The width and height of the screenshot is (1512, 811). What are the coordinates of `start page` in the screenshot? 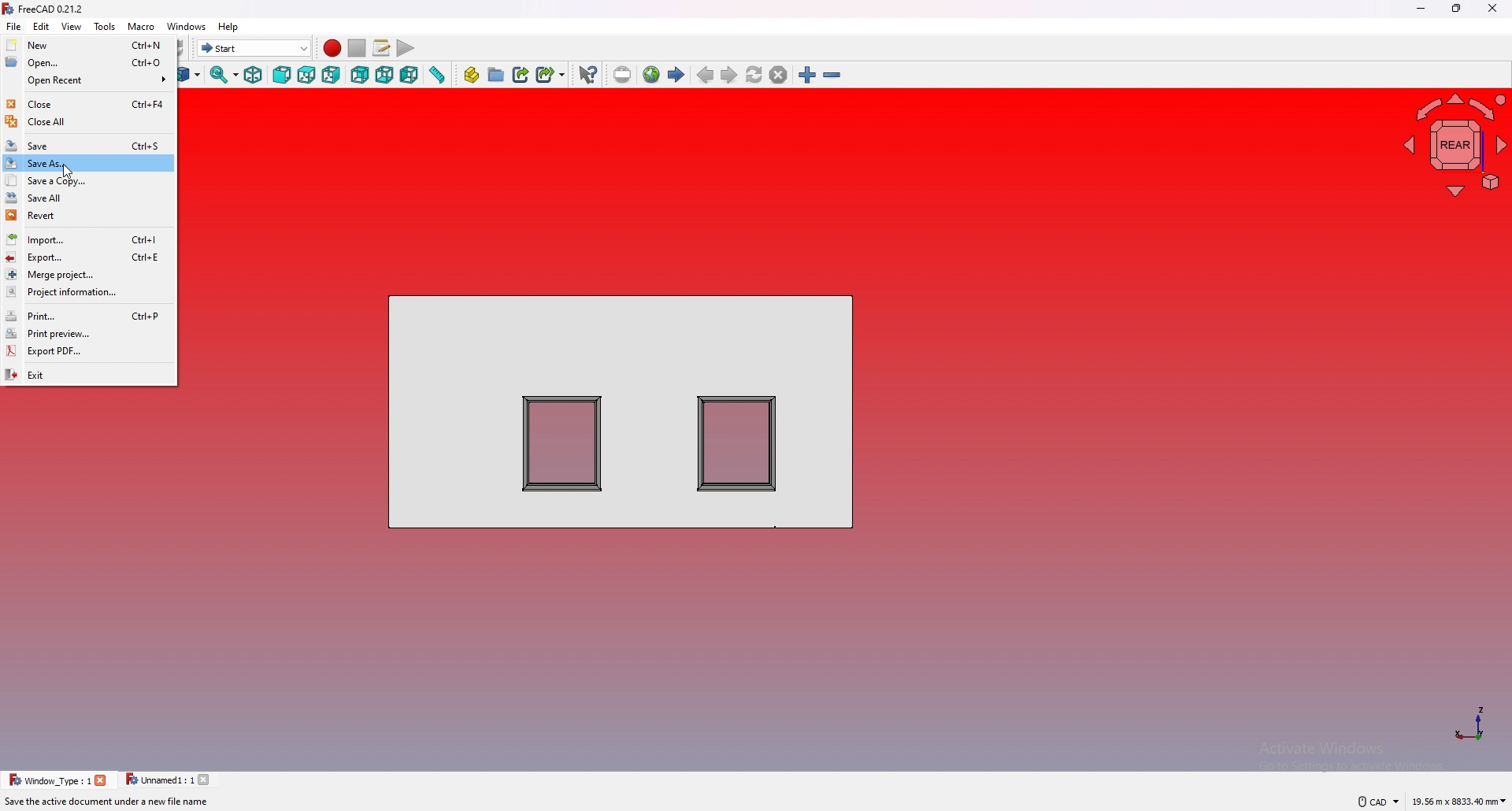 It's located at (676, 75).